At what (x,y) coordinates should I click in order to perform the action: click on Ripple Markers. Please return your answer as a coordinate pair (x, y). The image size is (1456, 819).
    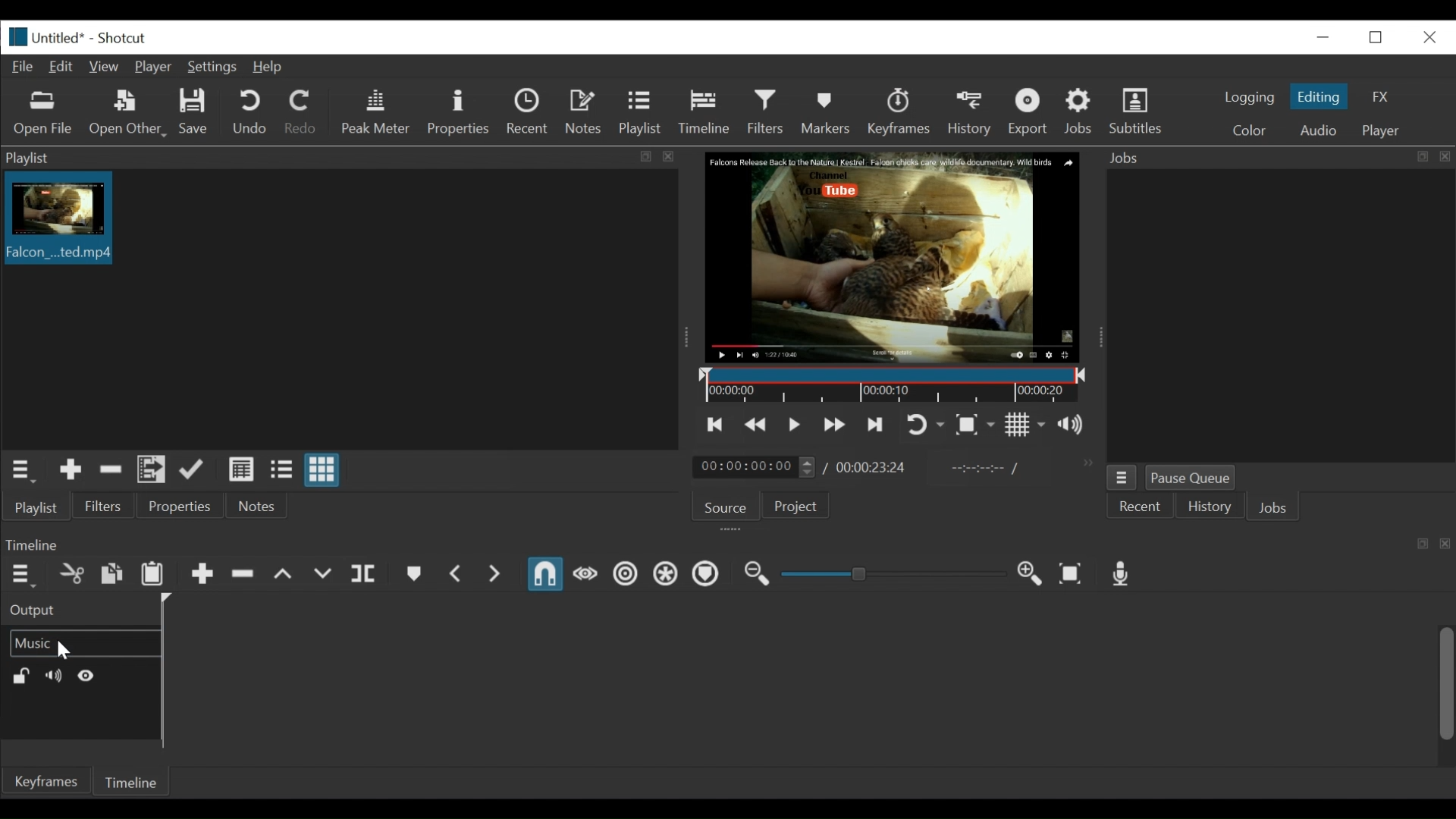
    Looking at the image, I should click on (706, 575).